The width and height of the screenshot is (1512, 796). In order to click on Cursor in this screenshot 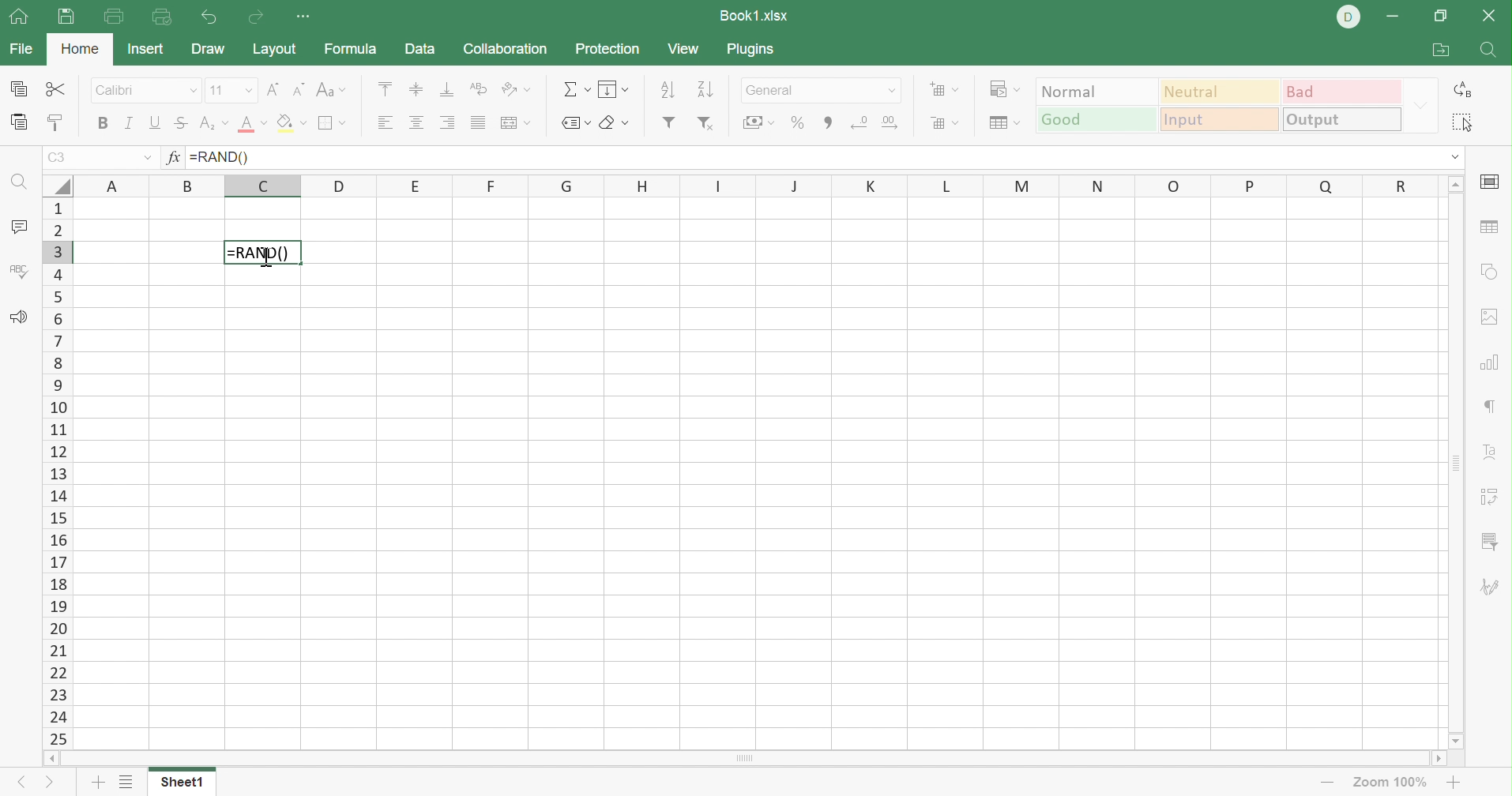, I will do `click(264, 257)`.